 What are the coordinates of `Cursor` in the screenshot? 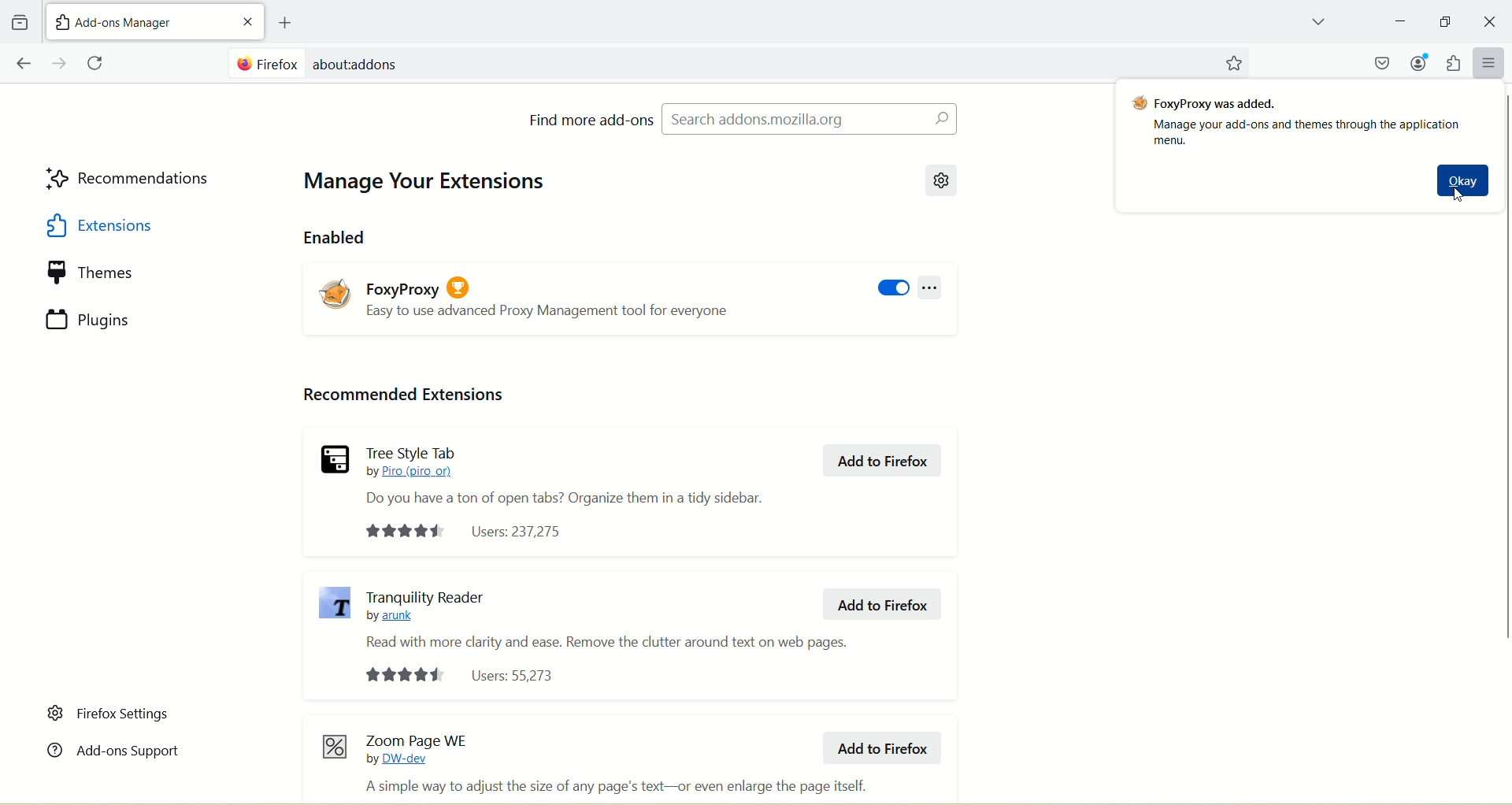 It's located at (1460, 195).